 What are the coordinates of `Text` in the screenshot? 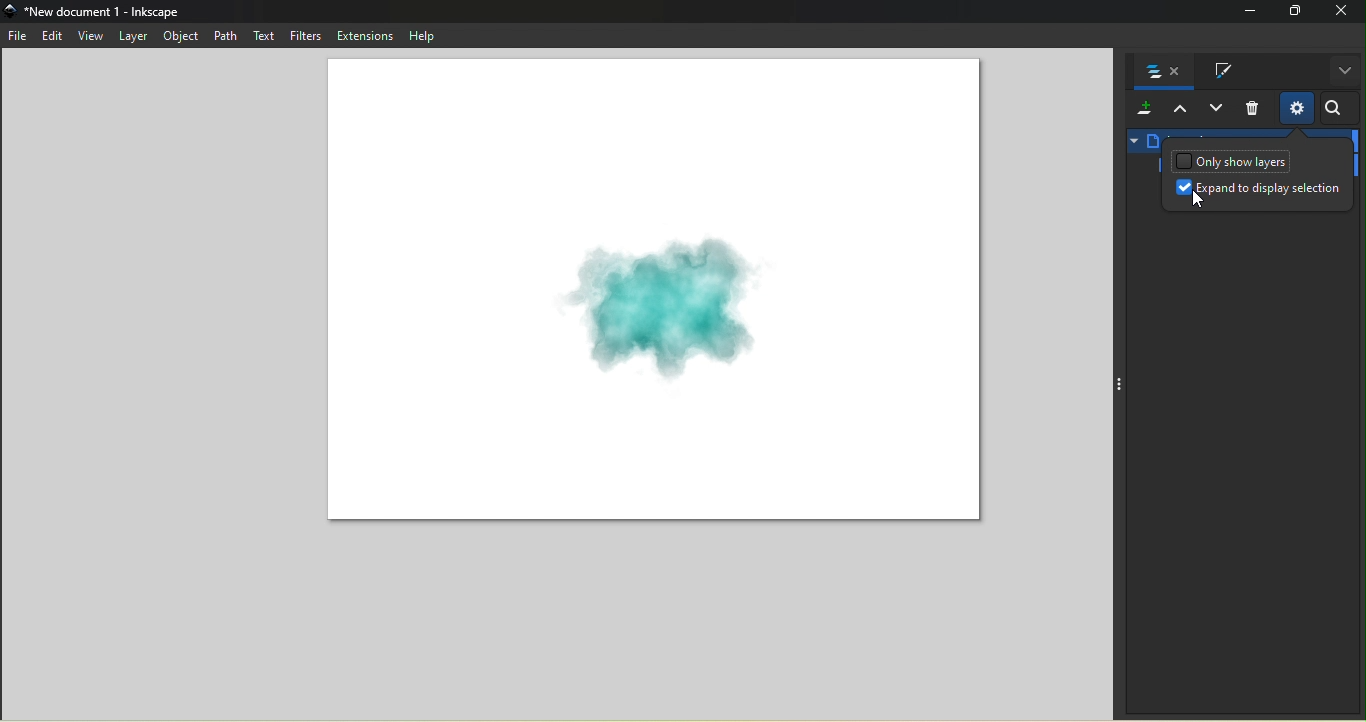 It's located at (262, 37).